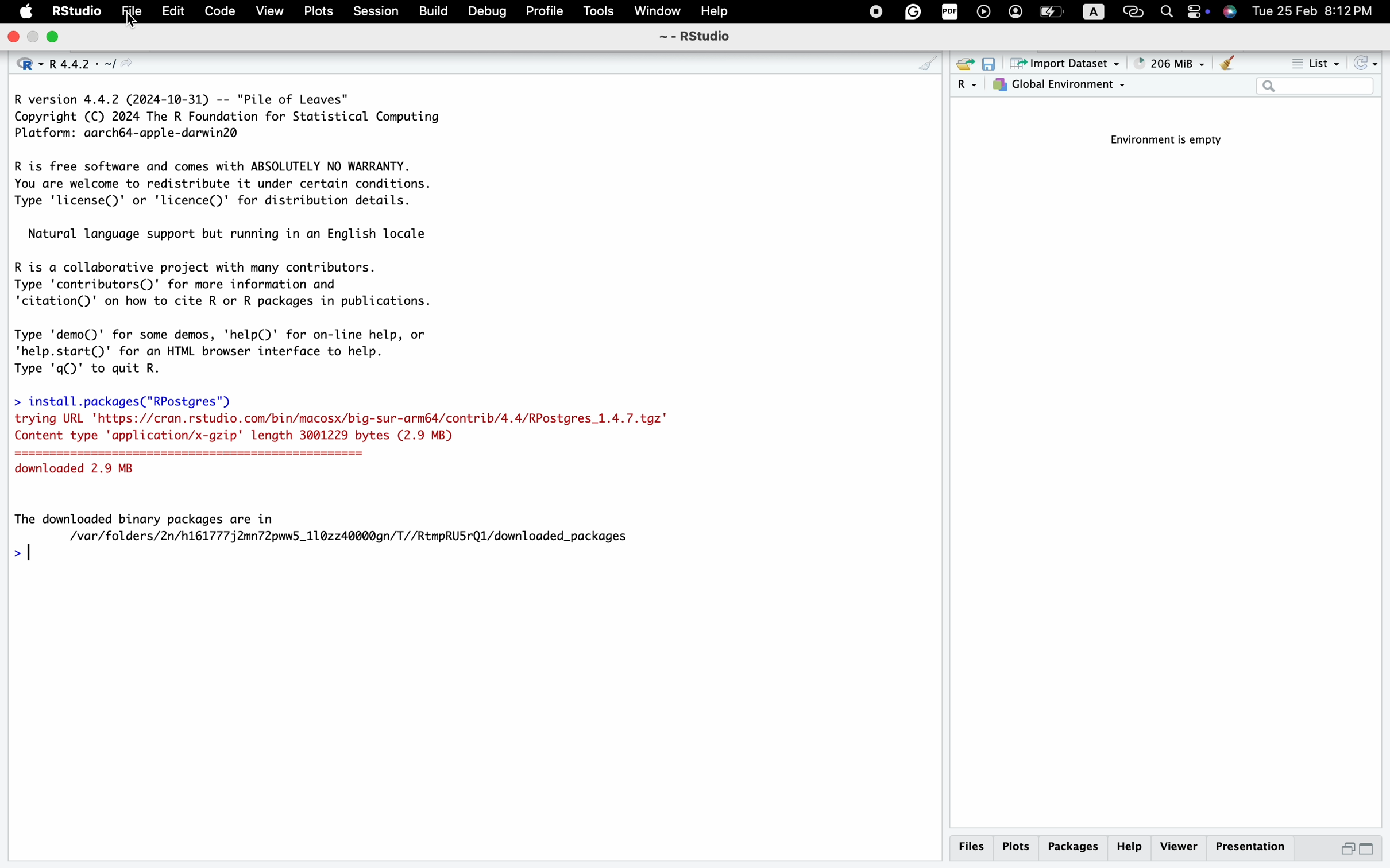  I want to click on language select, so click(22, 63).